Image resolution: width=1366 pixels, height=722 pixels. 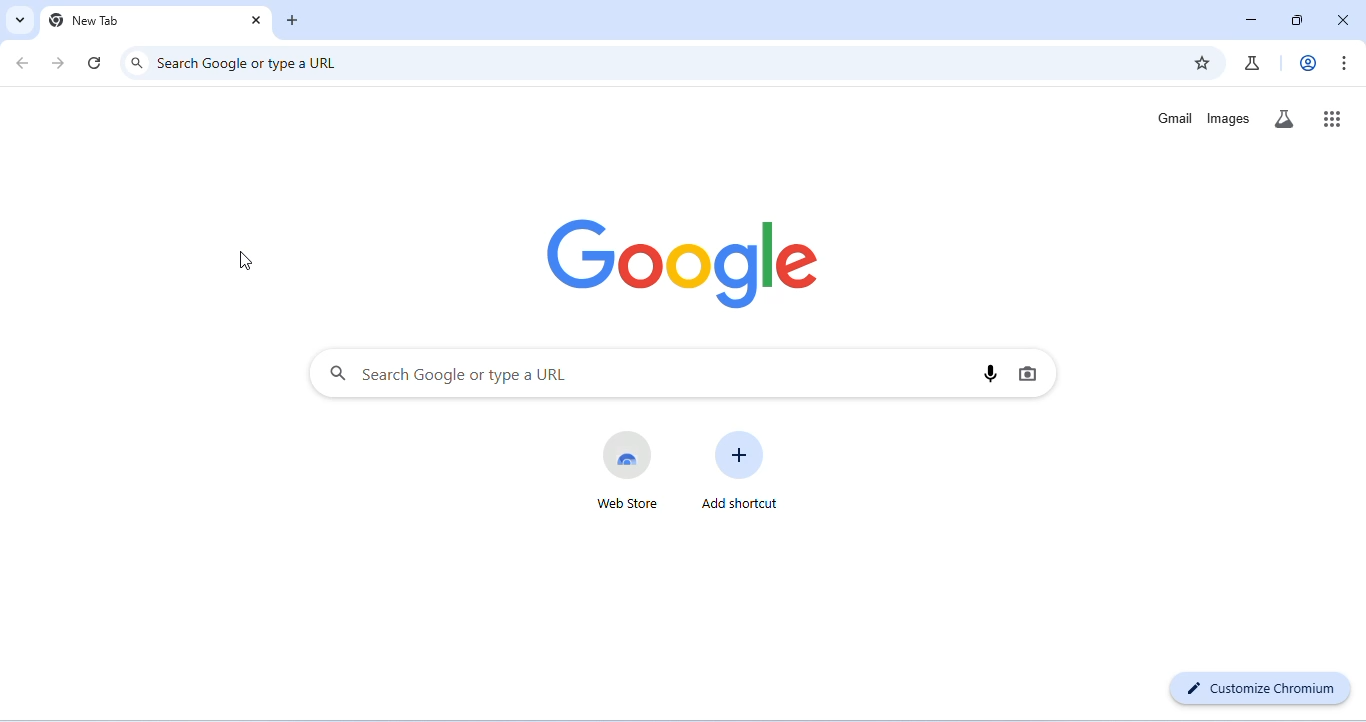 What do you see at coordinates (1297, 19) in the screenshot?
I see `maximize` at bounding box center [1297, 19].